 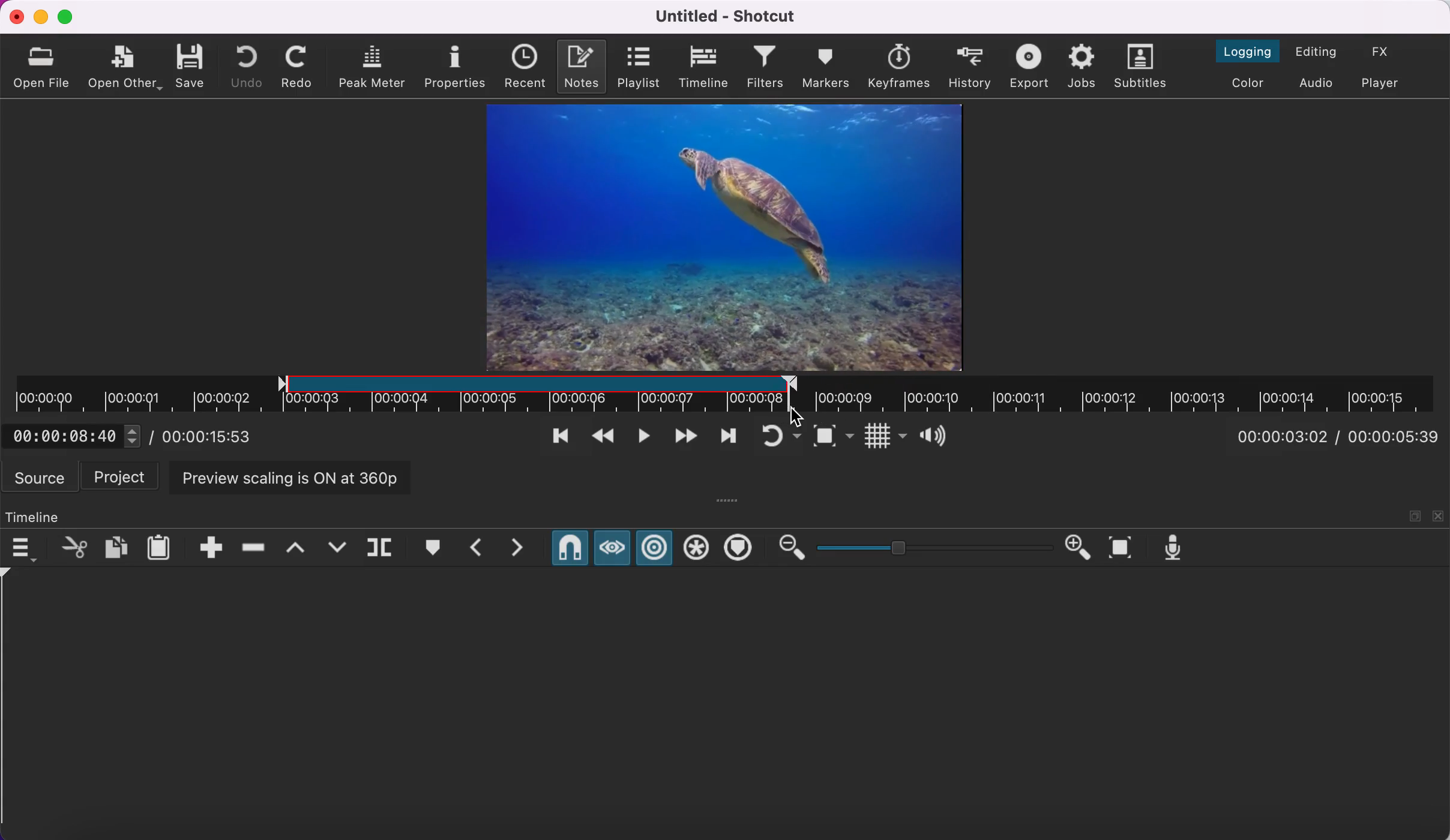 I want to click on project, so click(x=121, y=477).